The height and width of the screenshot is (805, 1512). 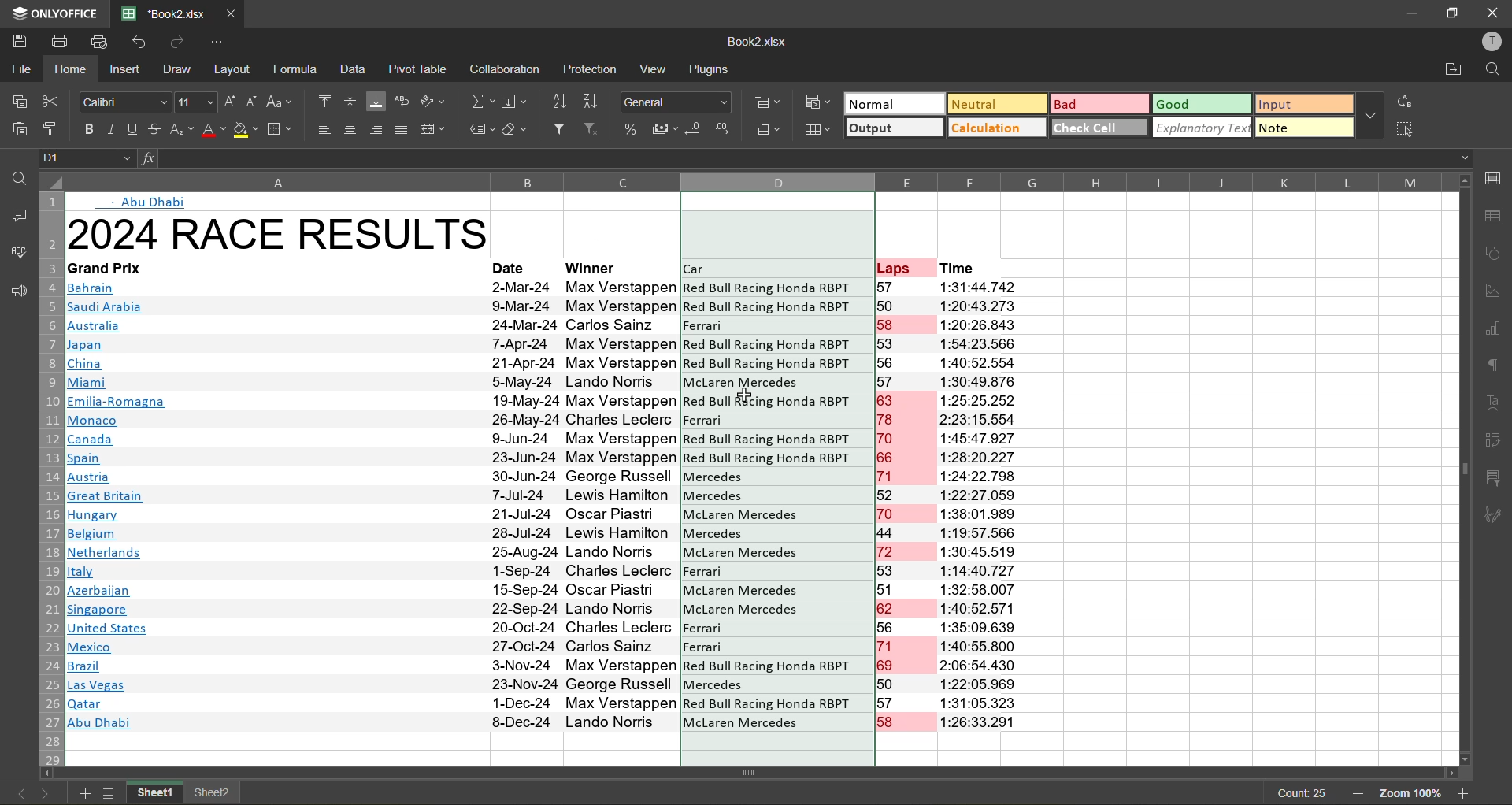 I want to click on change case, so click(x=282, y=102).